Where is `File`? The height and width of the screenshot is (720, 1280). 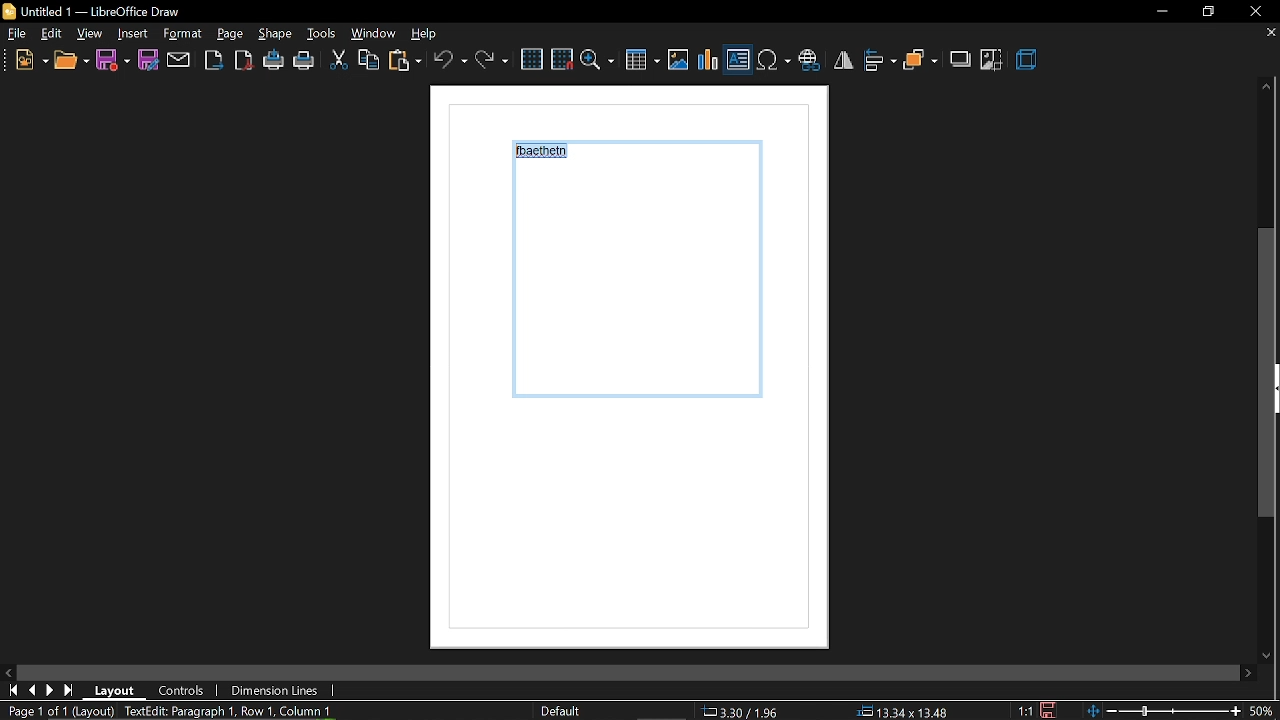
File is located at coordinates (17, 33).